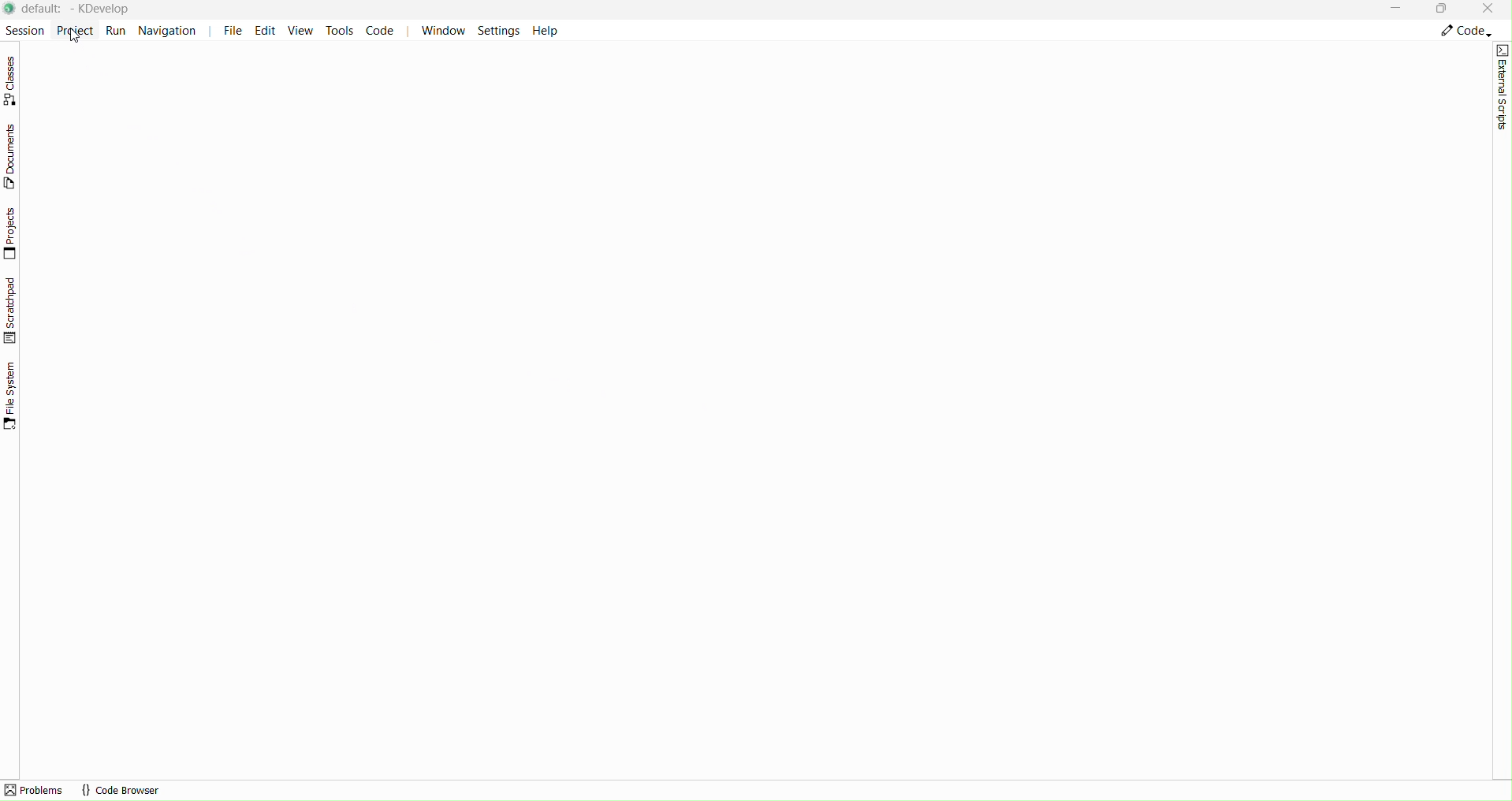 This screenshot has height=801, width=1512. Describe the element at coordinates (117, 30) in the screenshot. I see `Run` at that location.